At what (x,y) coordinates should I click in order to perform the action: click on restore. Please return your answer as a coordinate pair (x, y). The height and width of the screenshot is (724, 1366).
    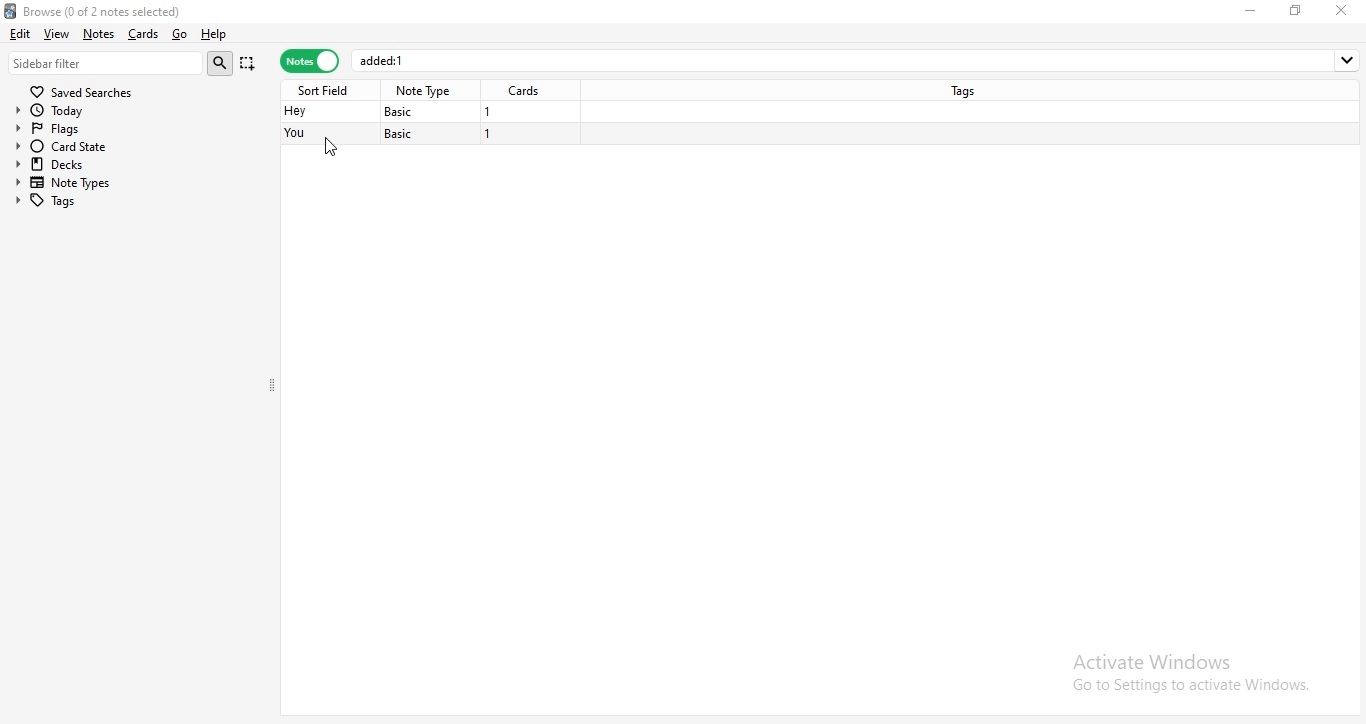
    Looking at the image, I should click on (1296, 10).